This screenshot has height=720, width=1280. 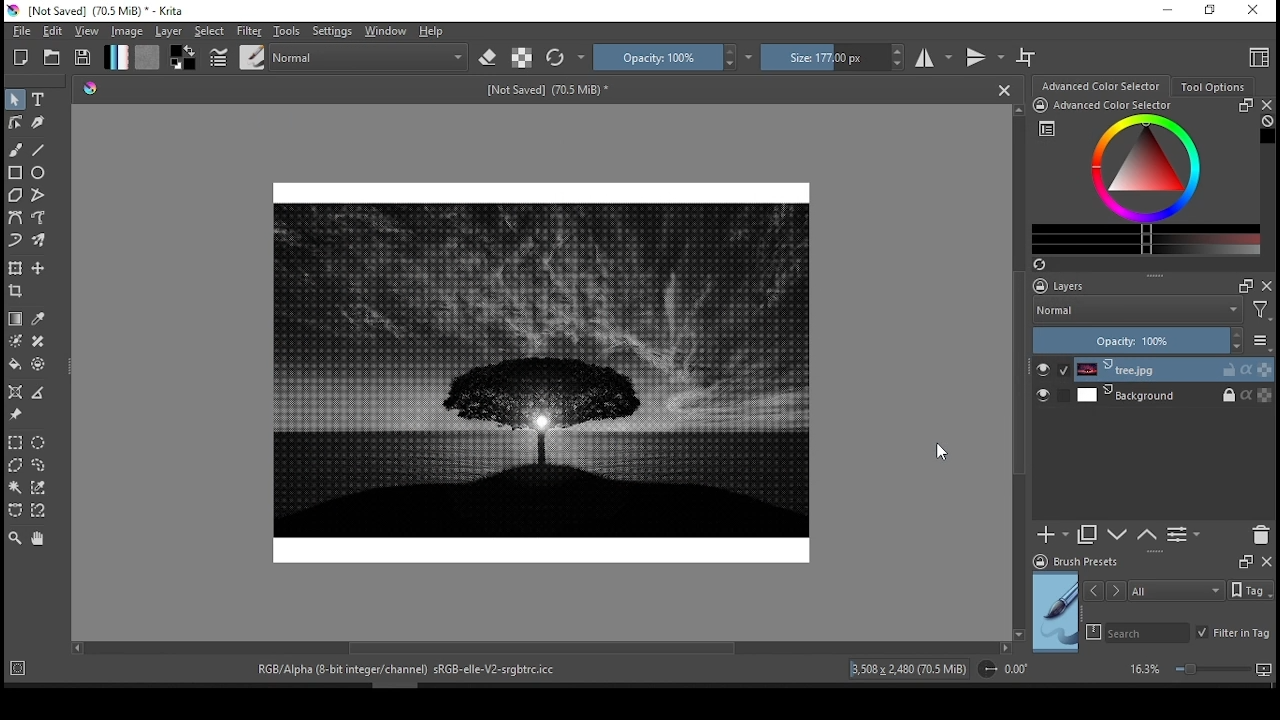 What do you see at coordinates (1153, 590) in the screenshot?
I see `tags` at bounding box center [1153, 590].